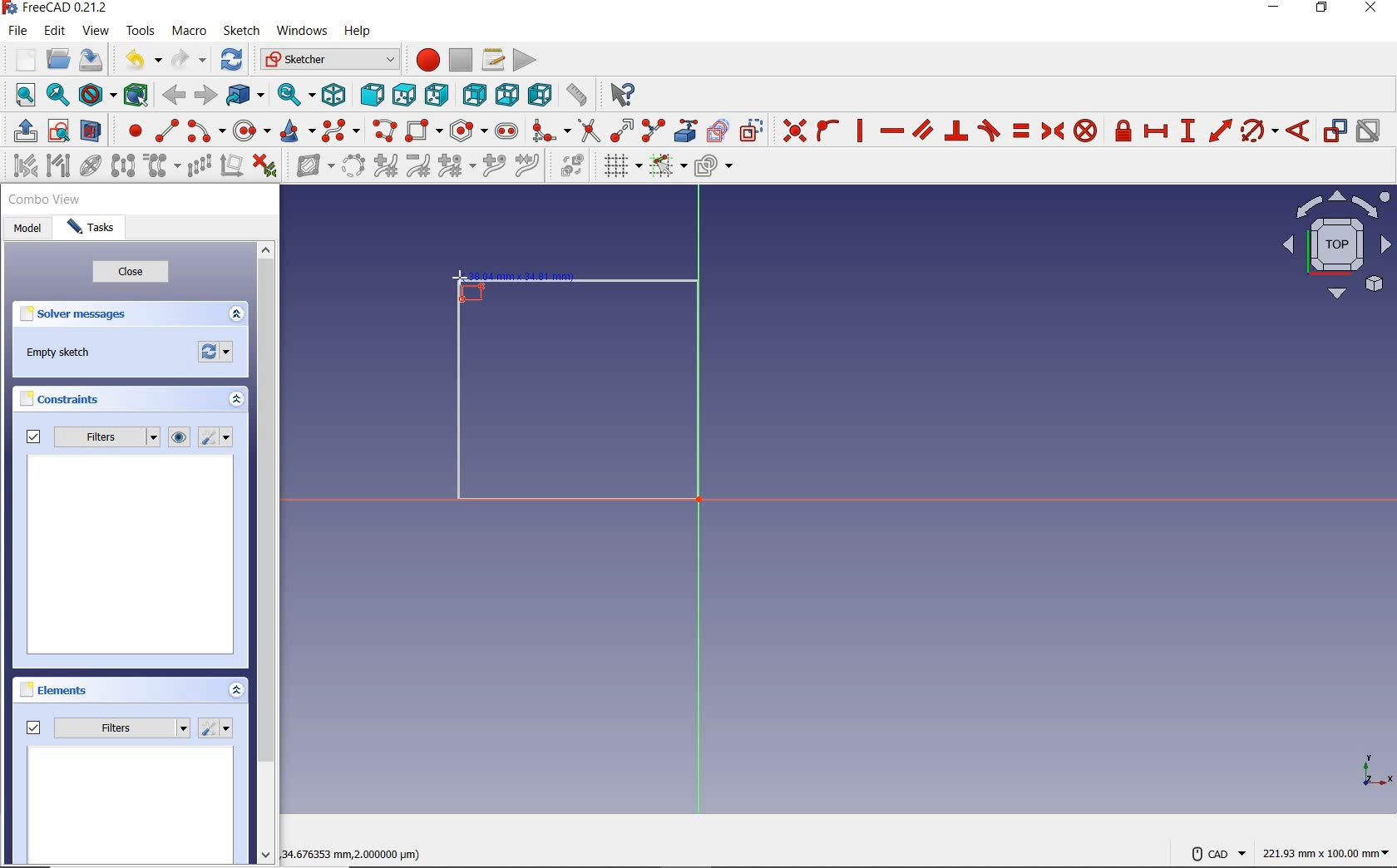 Image resolution: width=1397 pixels, height=868 pixels. I want to click on activate/deactivate constraint, so click(1370, 132).